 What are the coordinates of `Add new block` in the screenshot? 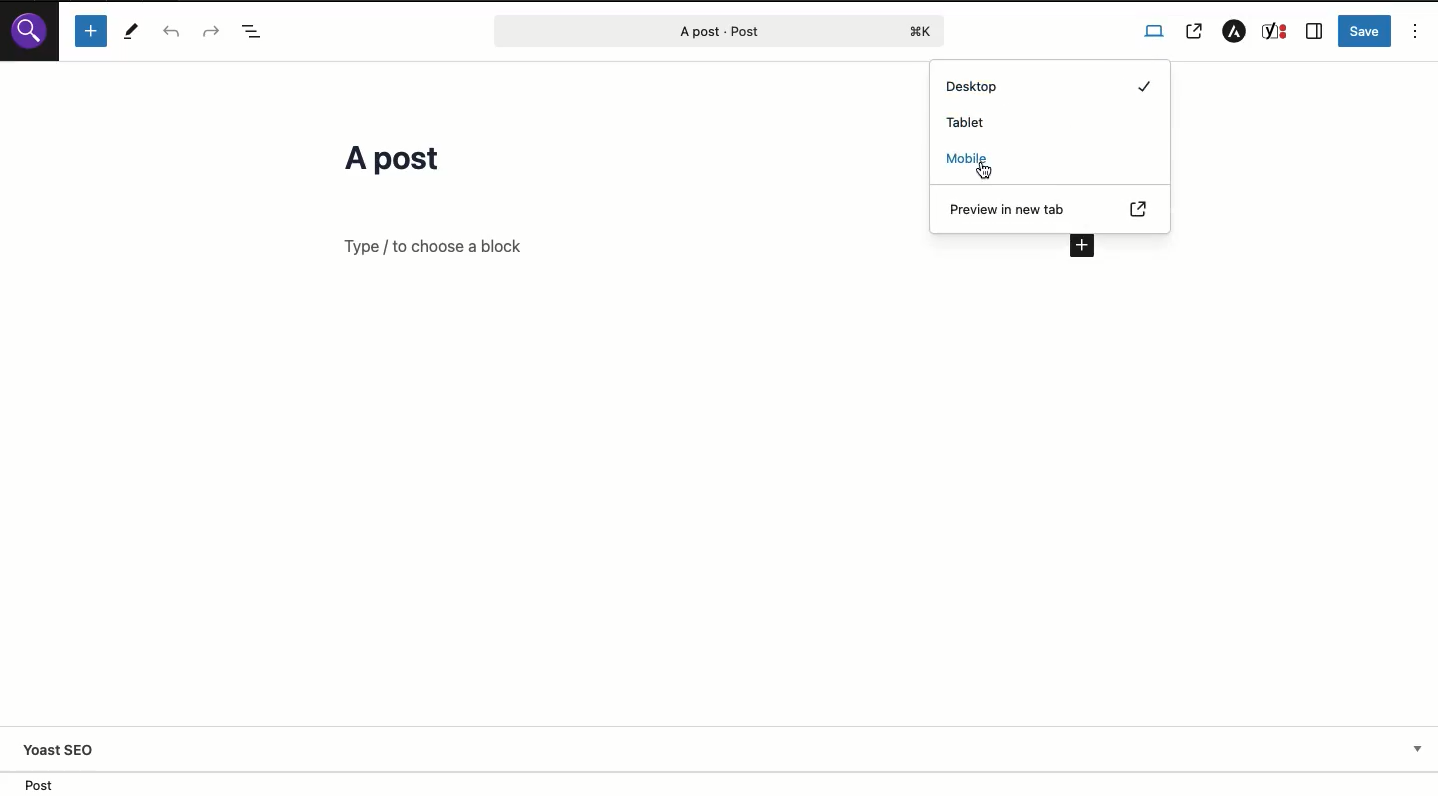 It's located at (1083, 246).